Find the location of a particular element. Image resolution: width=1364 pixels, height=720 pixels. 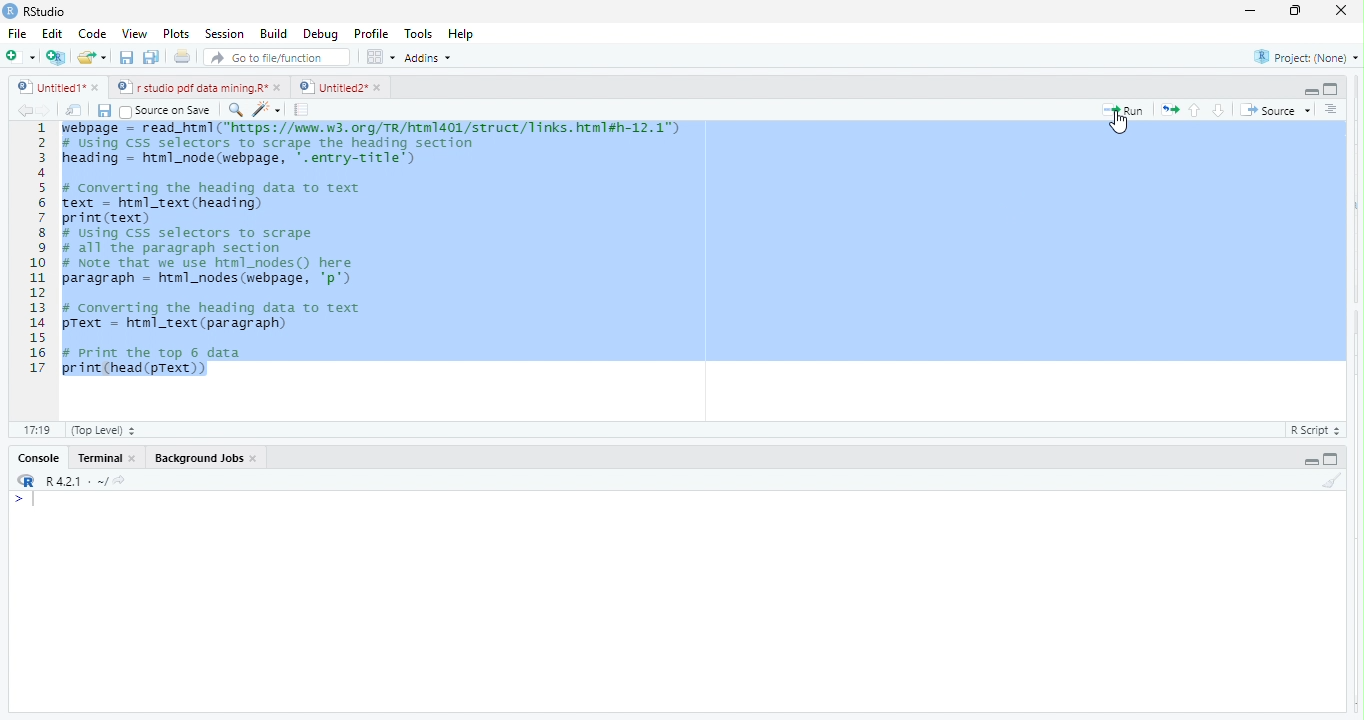

save current document is located at coordinates (126, 58).